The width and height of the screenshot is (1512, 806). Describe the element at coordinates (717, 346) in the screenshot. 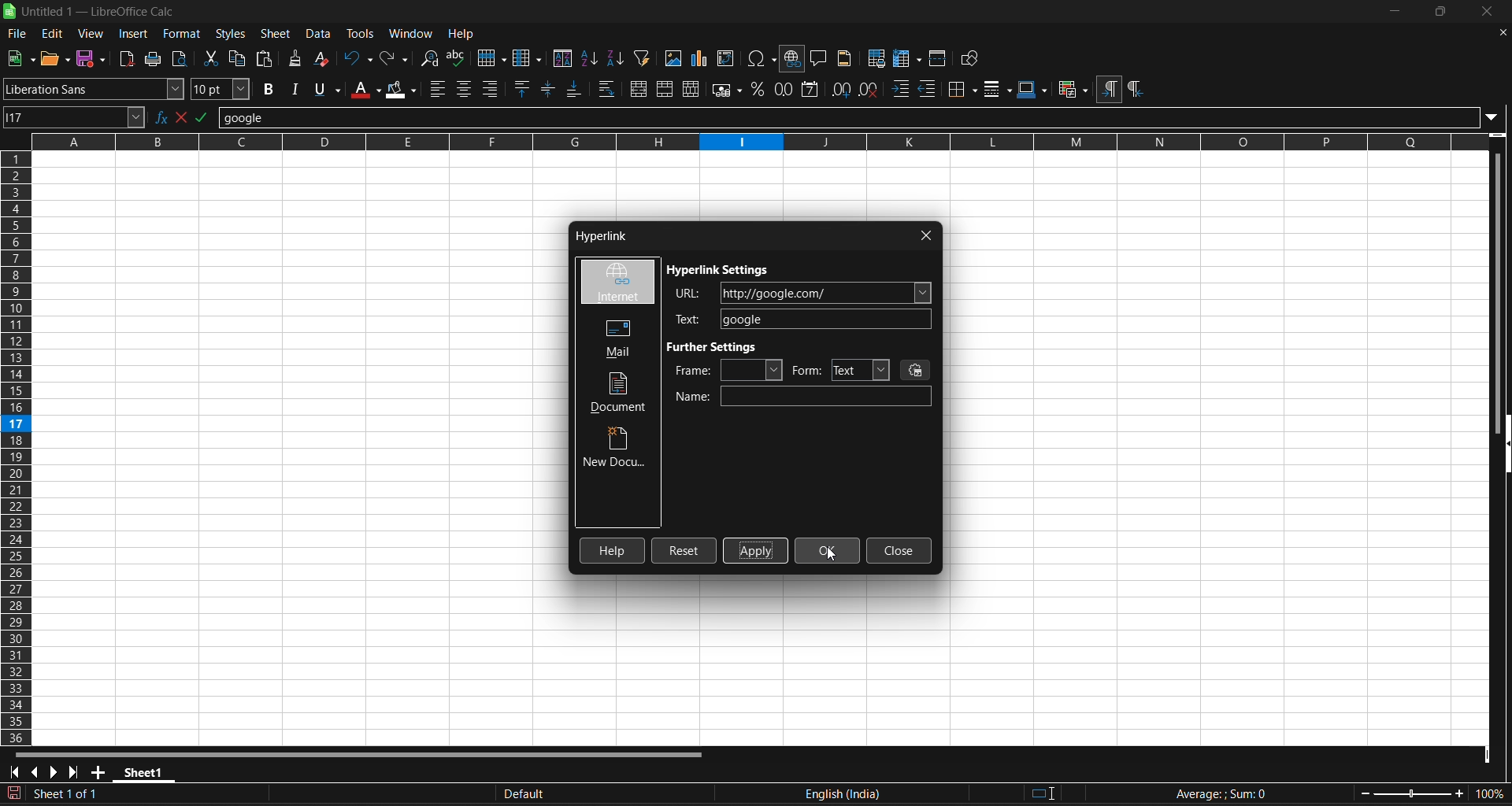

I see `further settings` at that location.